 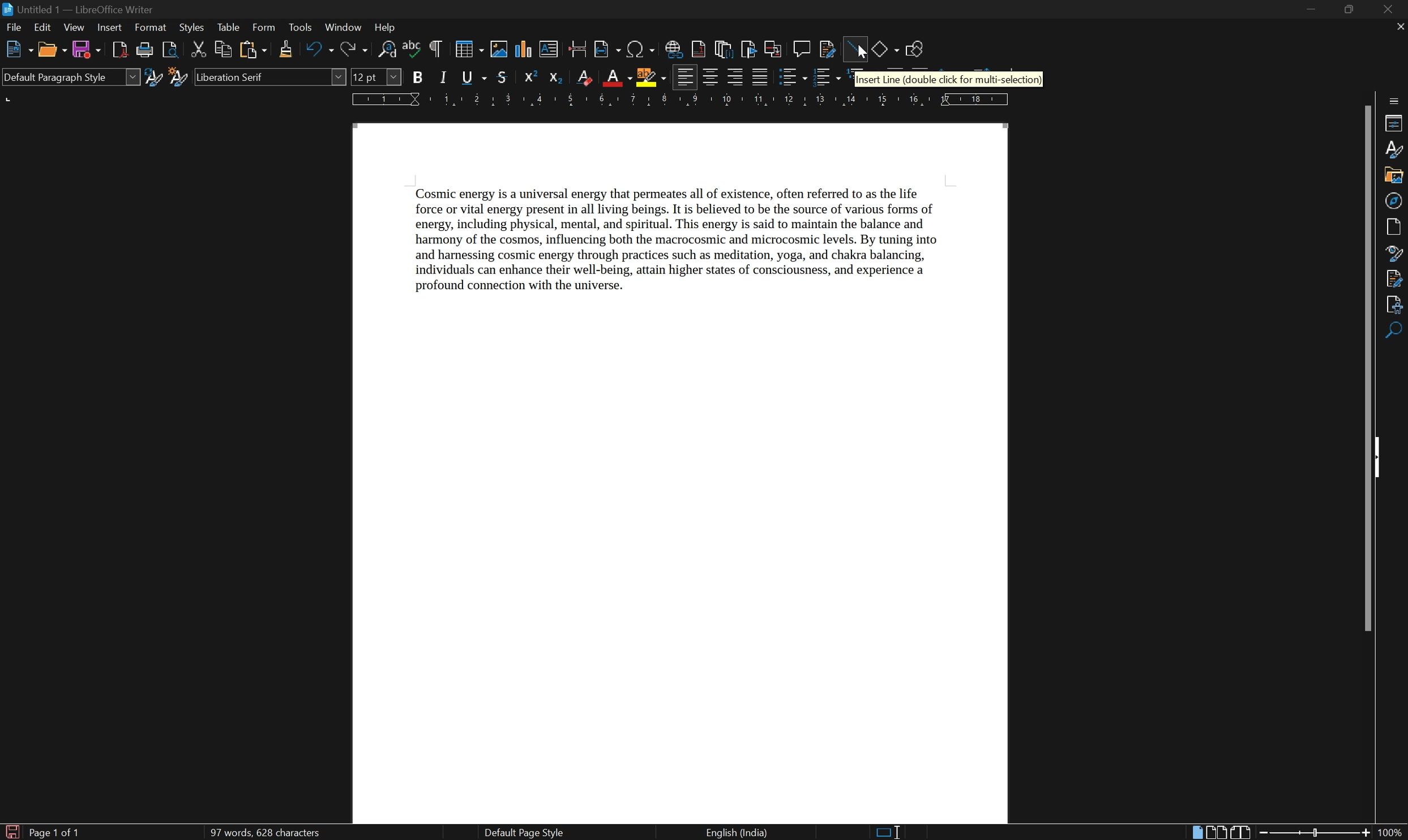 I want to click on undo, so click(x=320, y=50).